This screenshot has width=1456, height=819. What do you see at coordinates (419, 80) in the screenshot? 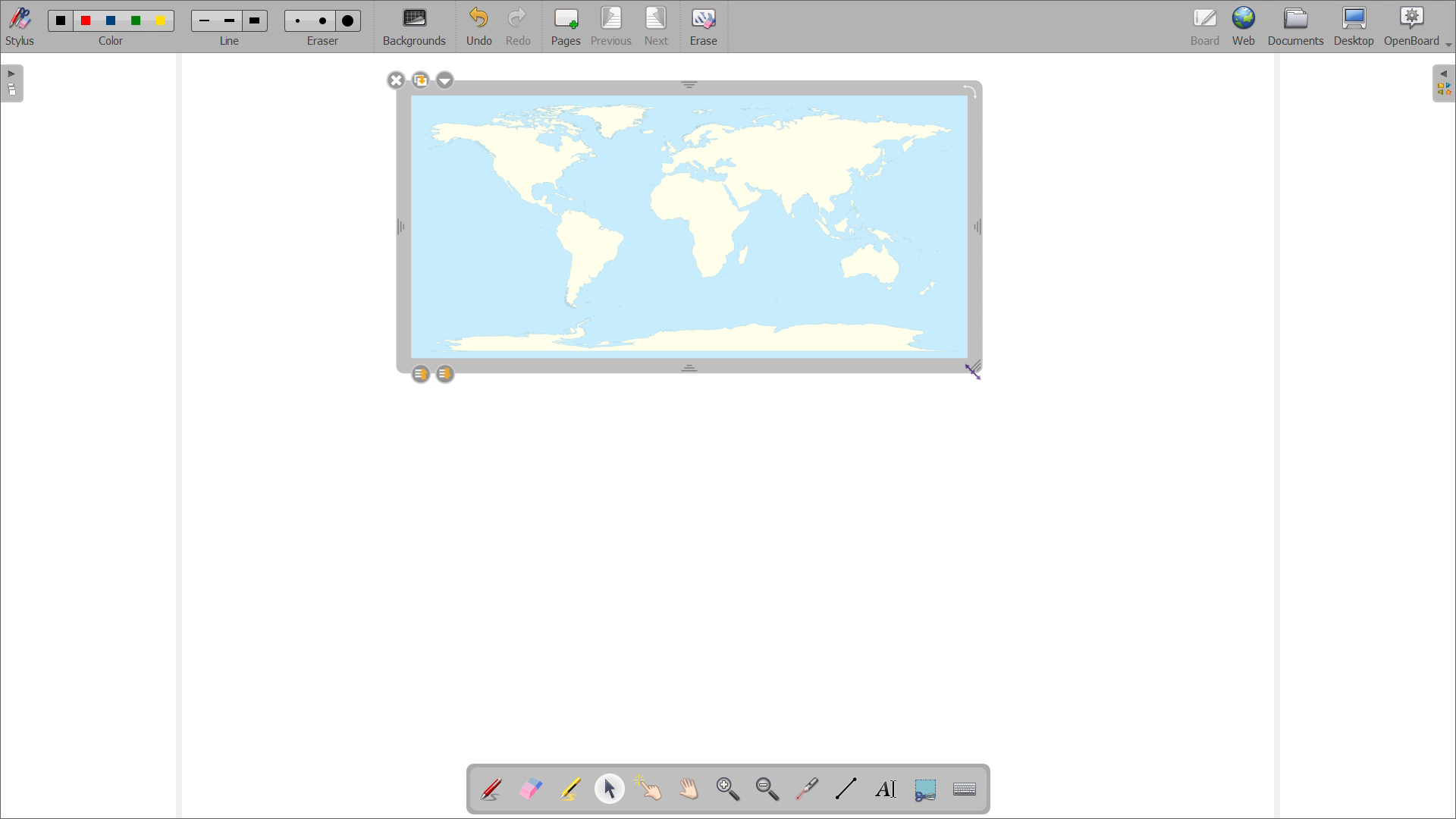
I see `duplicate` at bounding box center [419, 80].